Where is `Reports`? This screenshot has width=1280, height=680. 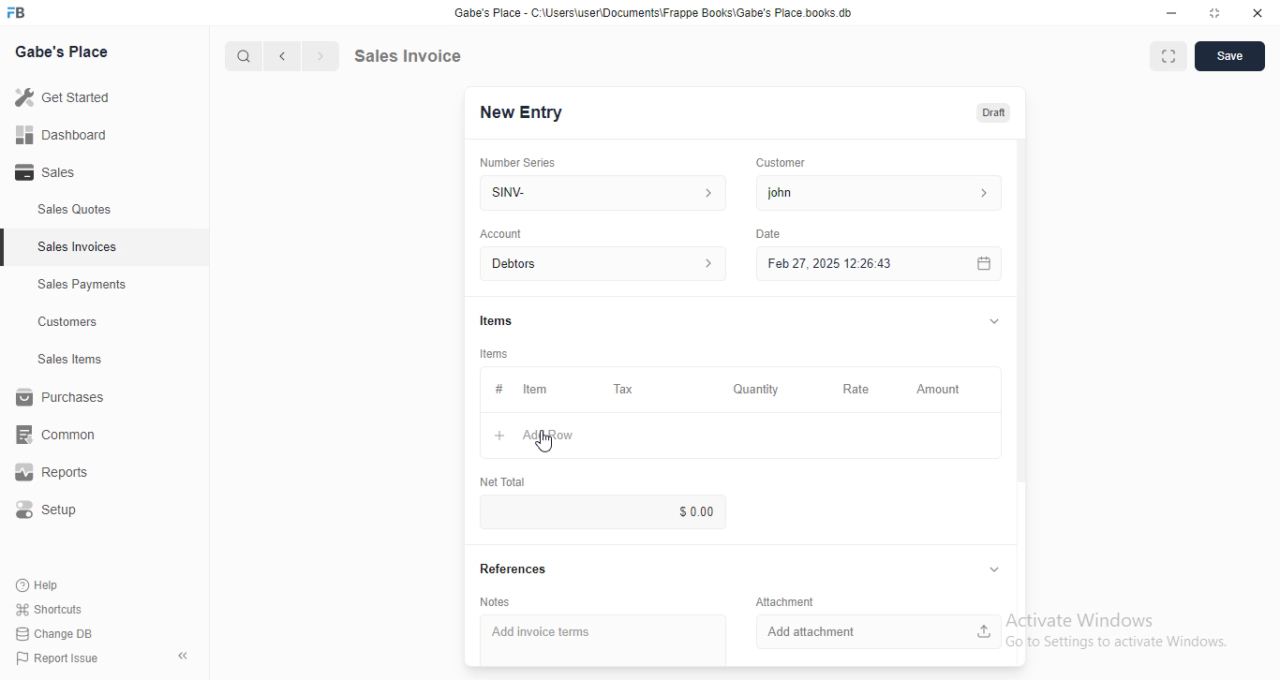 Reports is located at coordinates (49, 473).